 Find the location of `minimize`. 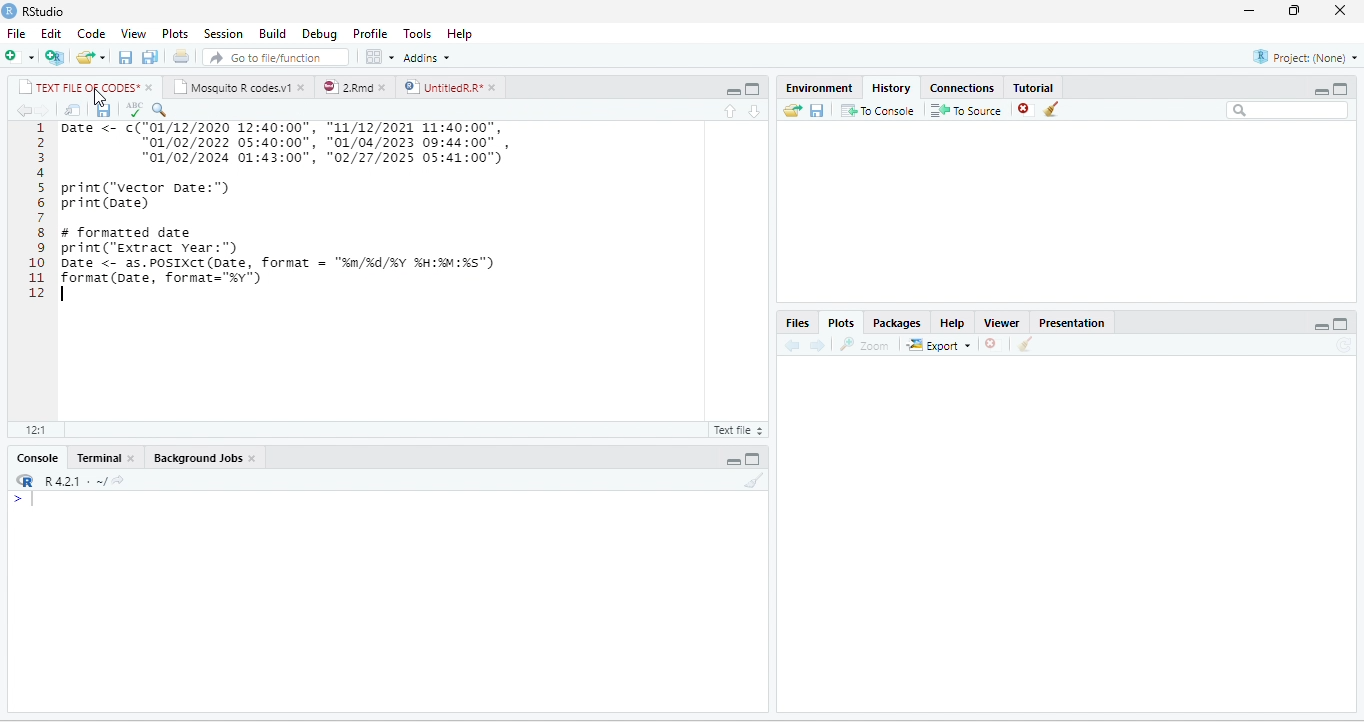

minimize is located at coordinates (1250, 11).